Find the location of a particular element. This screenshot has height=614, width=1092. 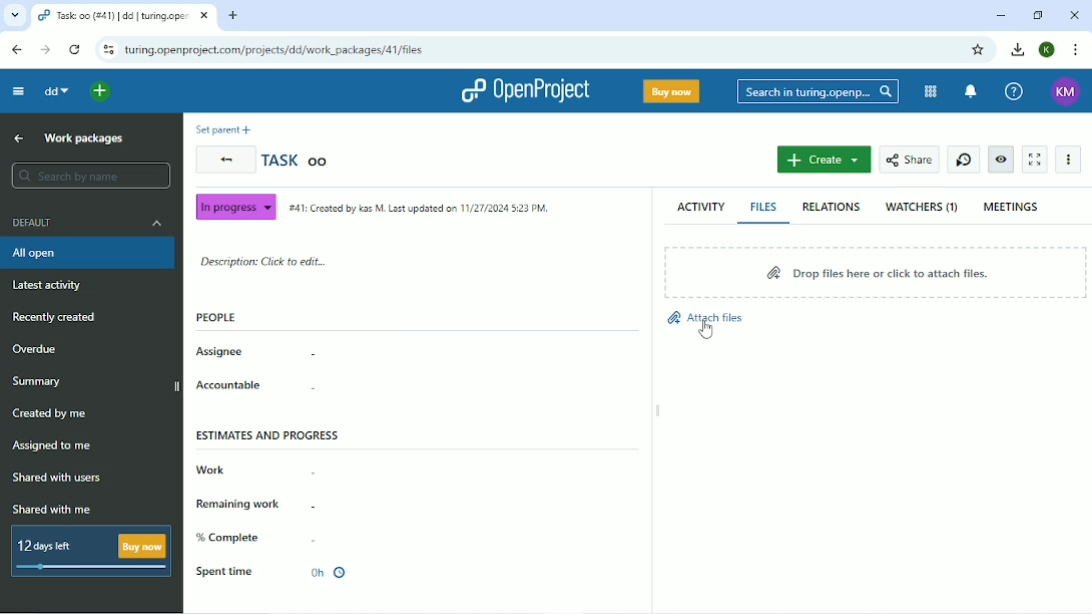

- is located at coordinates (324, 355).